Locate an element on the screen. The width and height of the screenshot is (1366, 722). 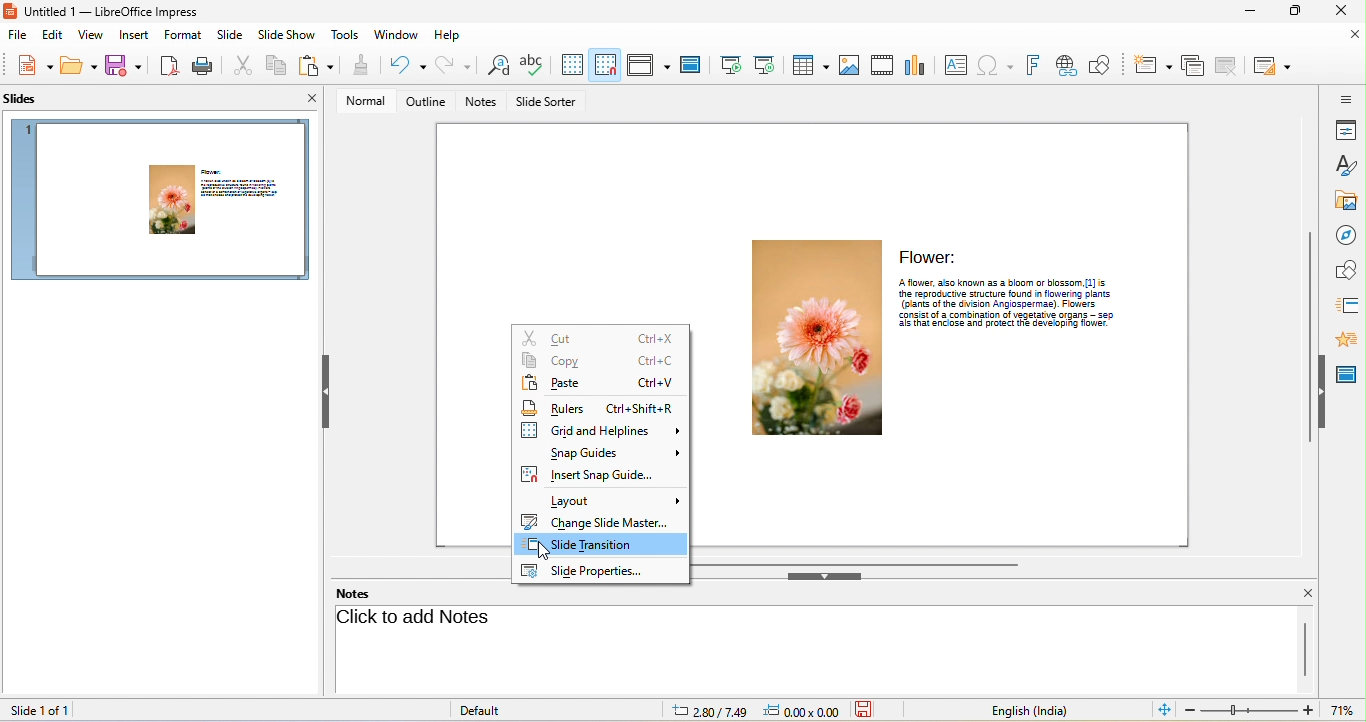
delete slide is located at coordinates (1229, 66).